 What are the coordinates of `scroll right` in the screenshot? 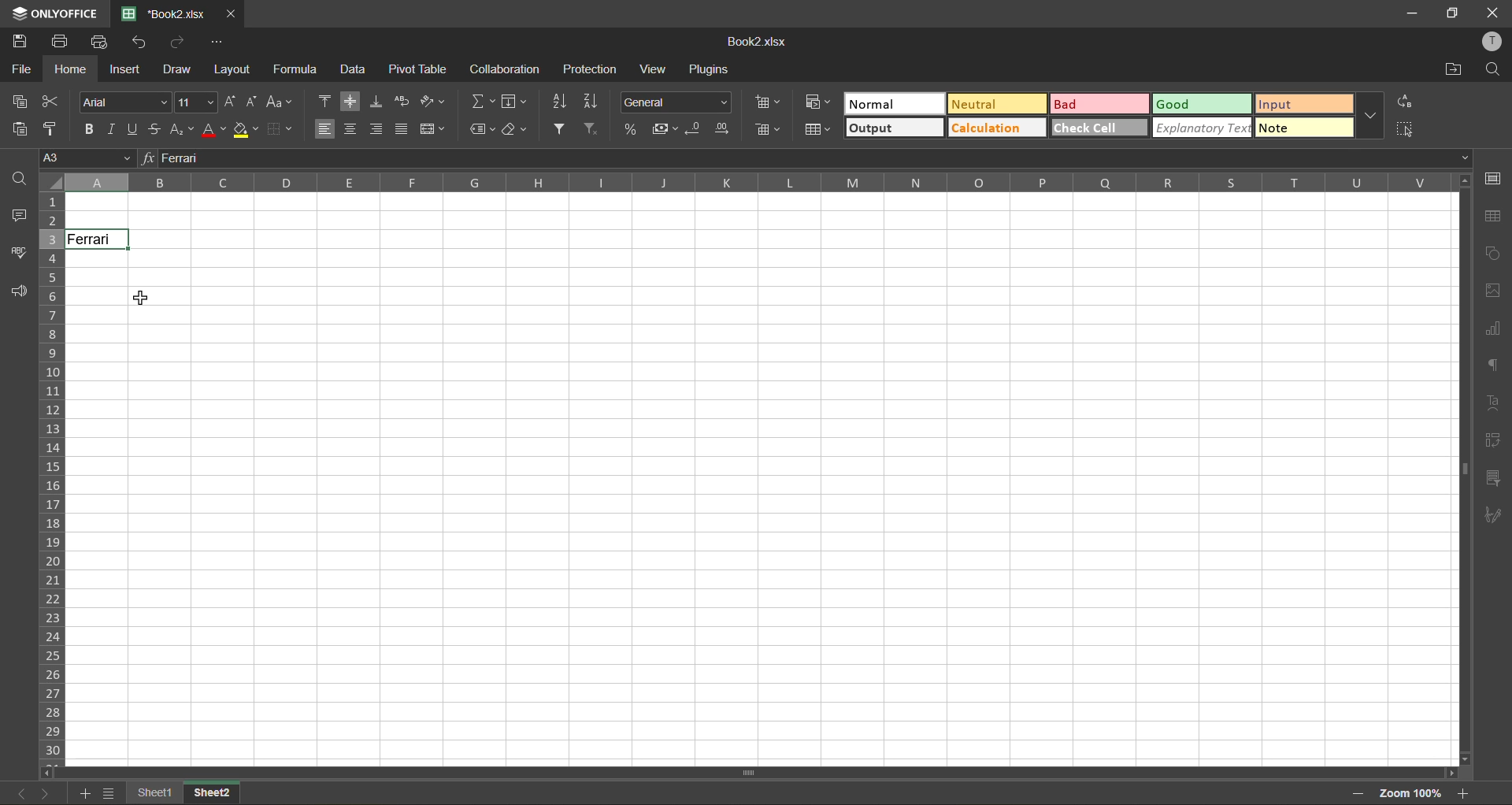 It's located at (1449, 773).